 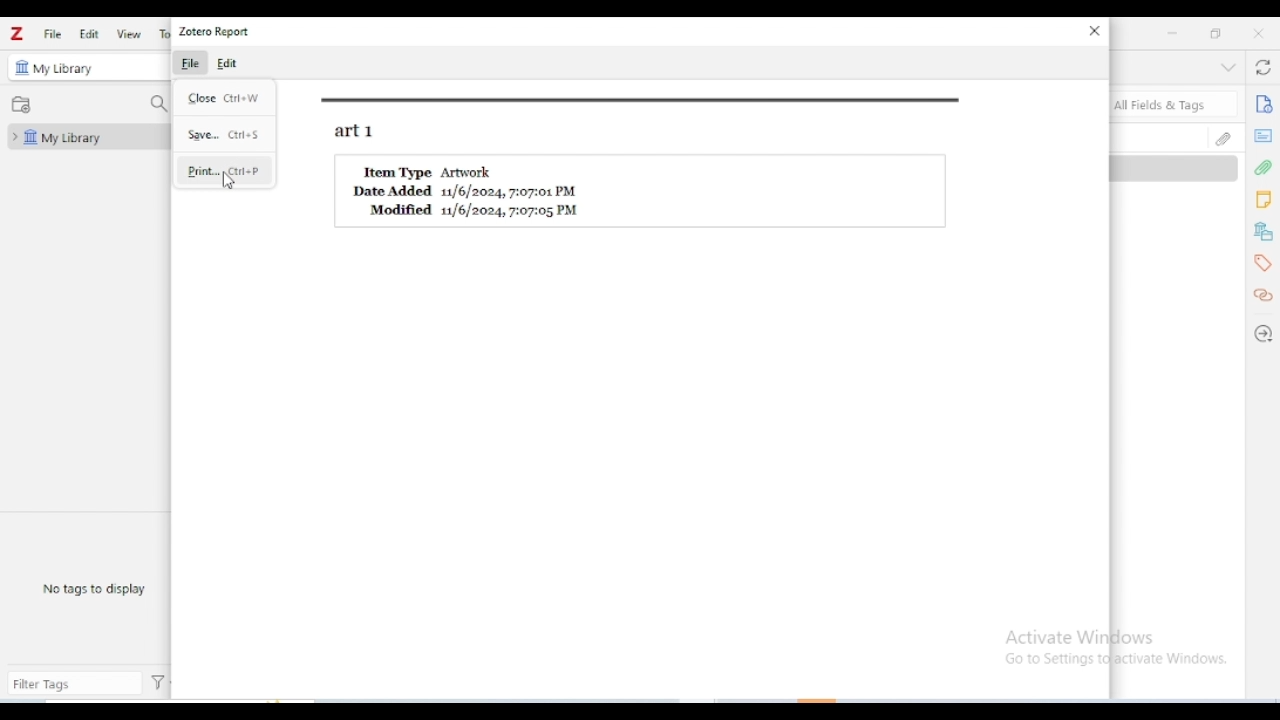 What do you see at coordinates (1095, 31) in the screenshot?
I see `close` at bounding box center [1095, 31].